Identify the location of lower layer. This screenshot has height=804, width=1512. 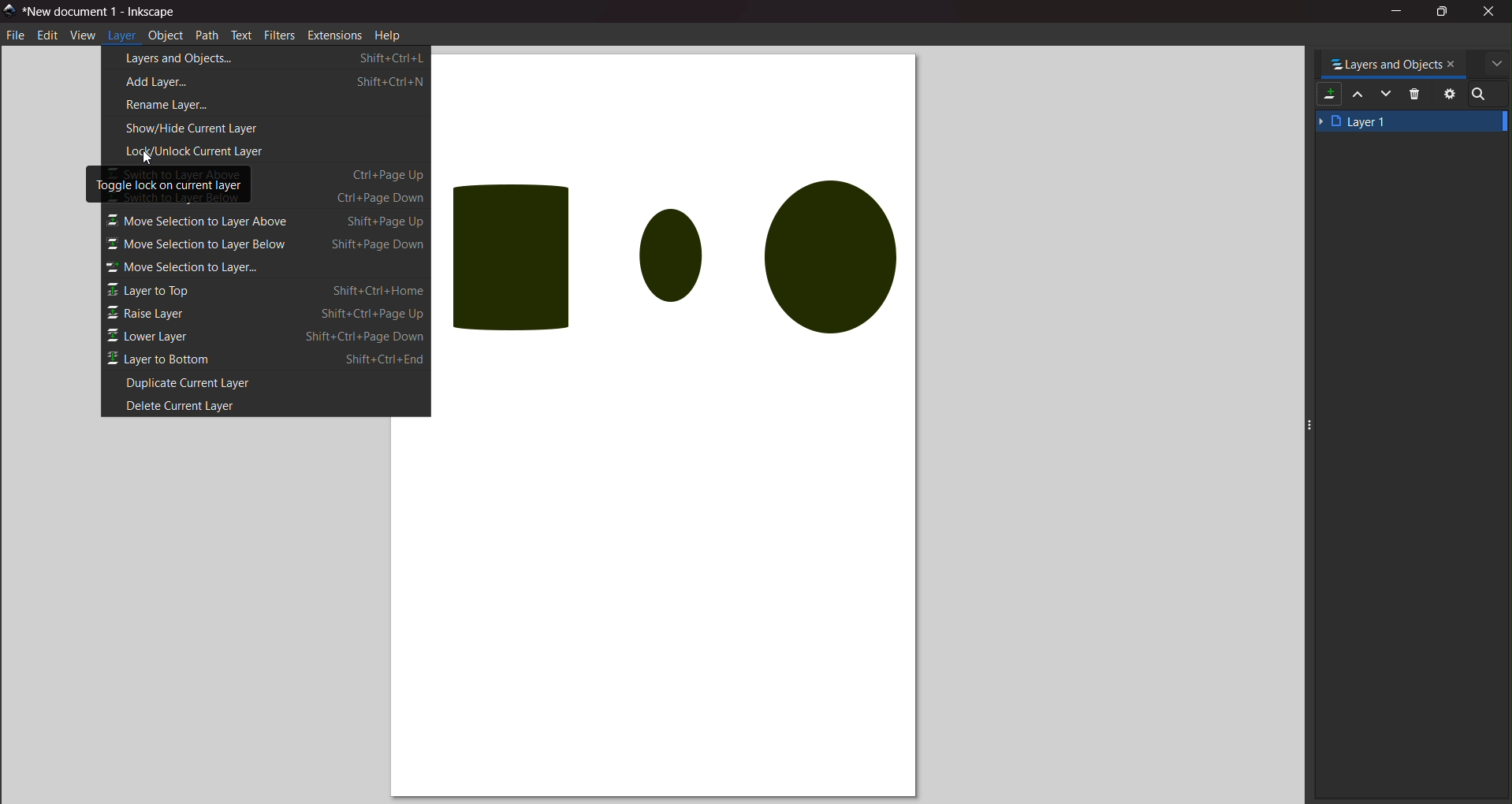
(267, 339).